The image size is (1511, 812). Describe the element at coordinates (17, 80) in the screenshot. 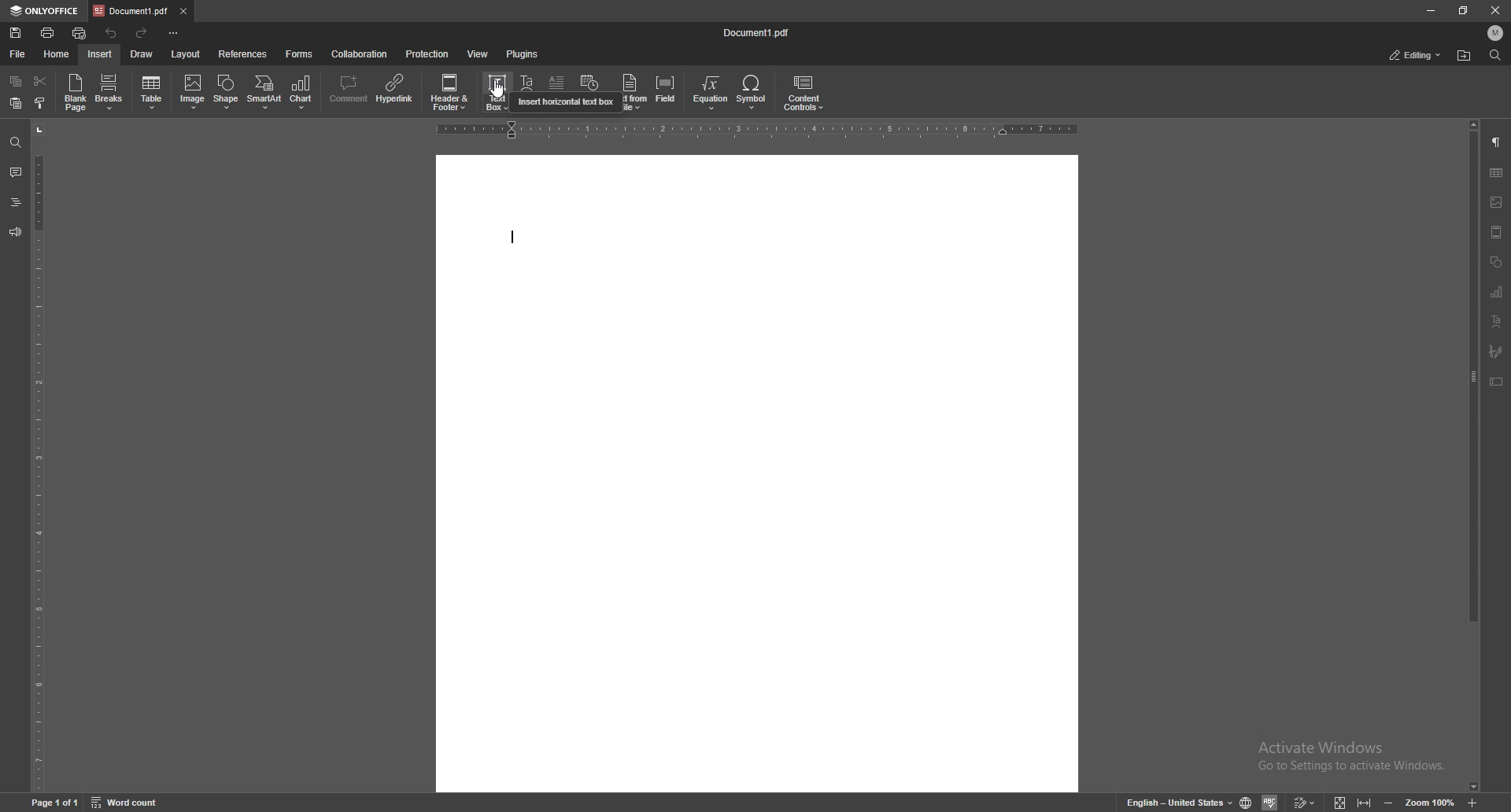

I see `copy` at that location.